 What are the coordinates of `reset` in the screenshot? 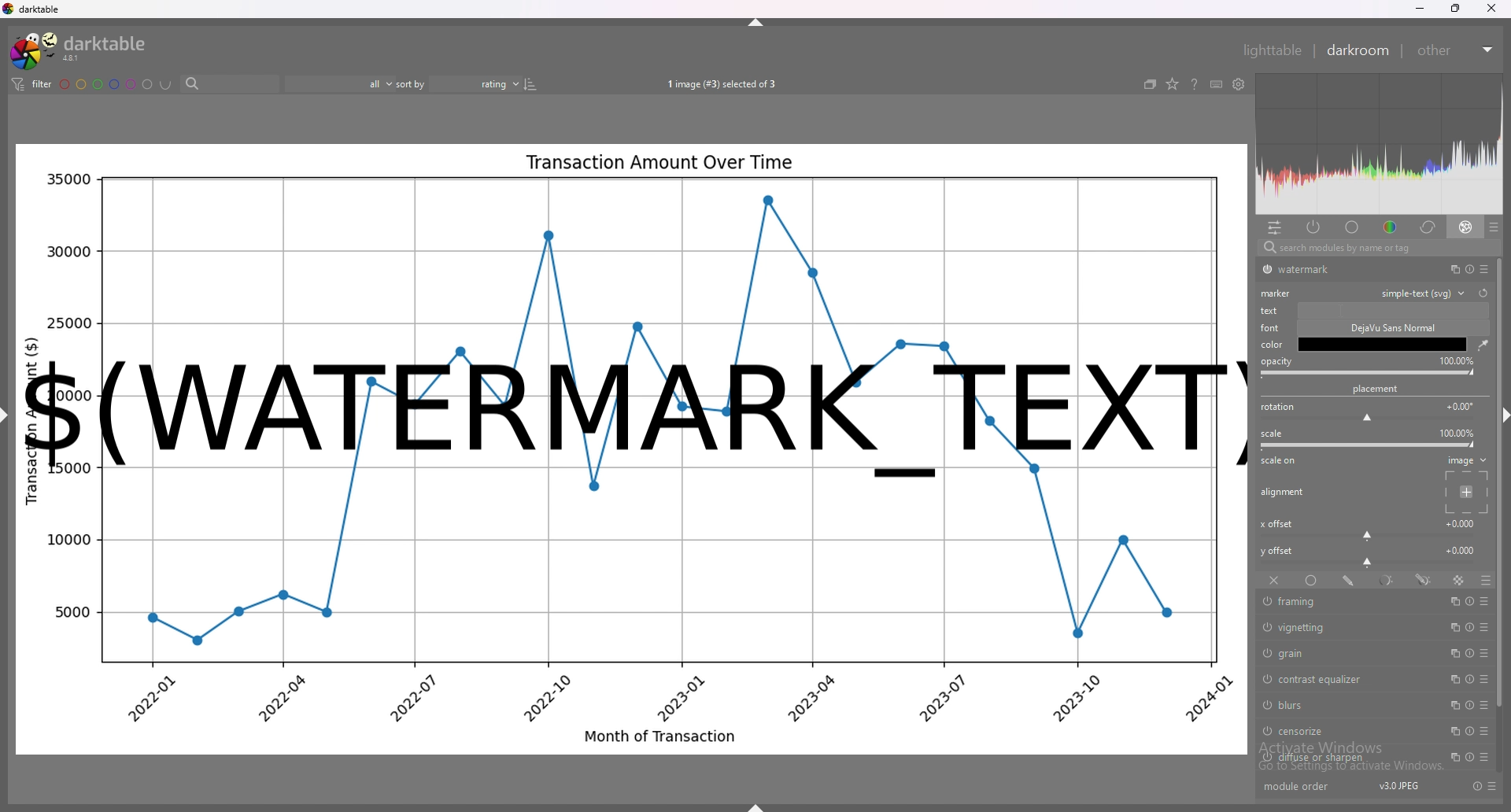 It's located at (1476, 786).